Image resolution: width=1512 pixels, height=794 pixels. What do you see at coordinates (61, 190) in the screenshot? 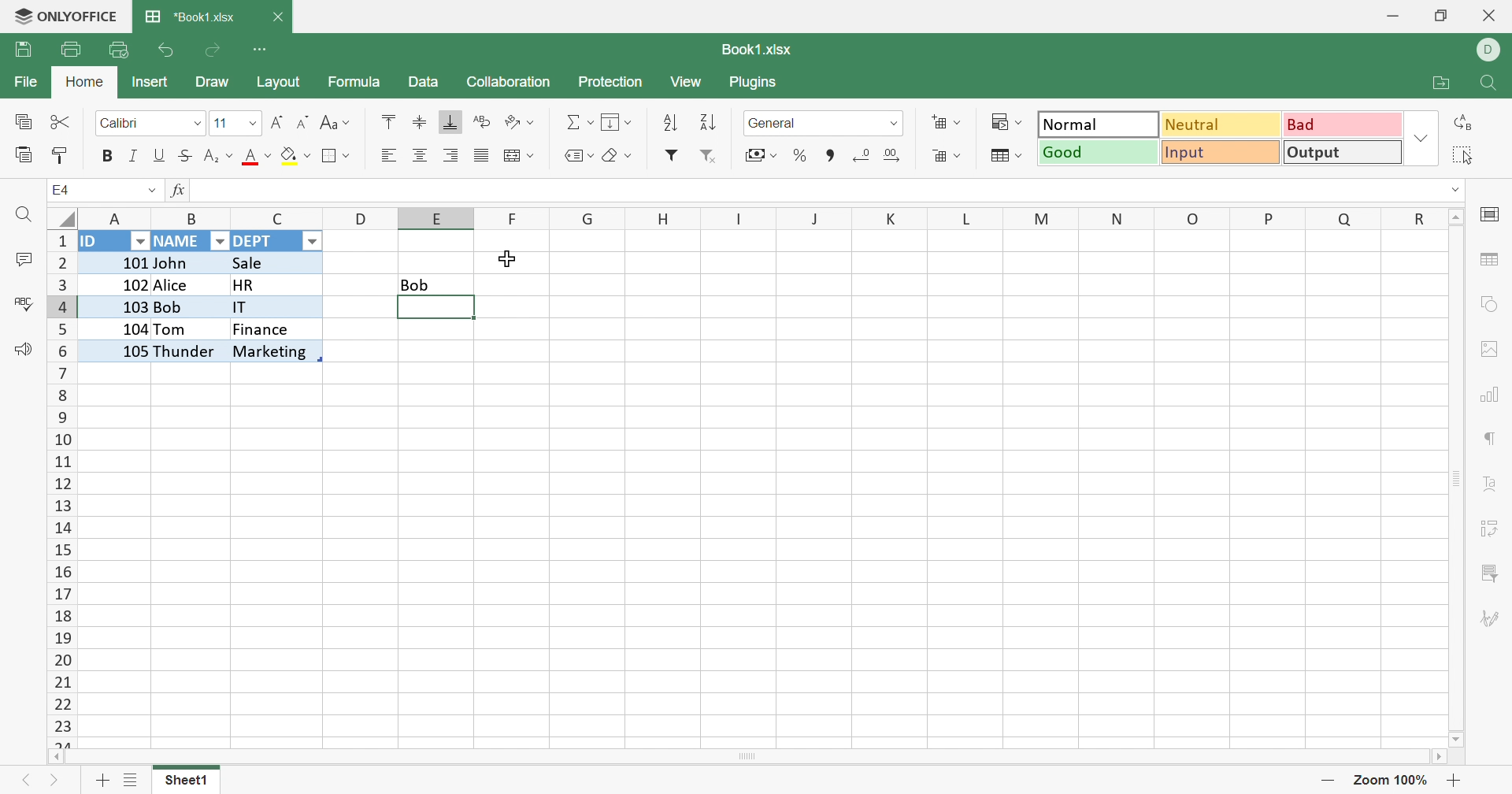
I see `A1` at bounding box center [61, 190].